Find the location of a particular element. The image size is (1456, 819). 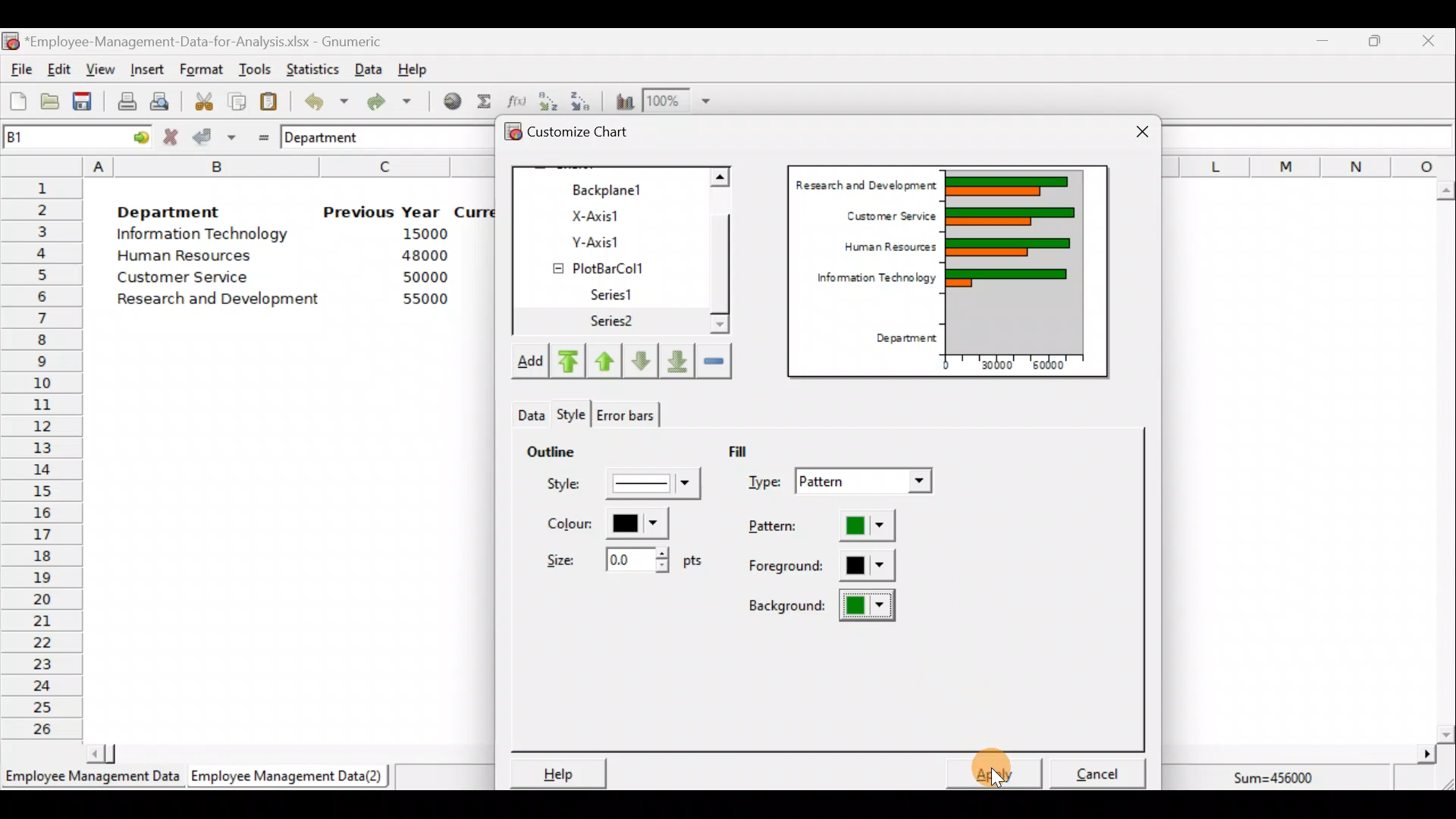

Sort in descending order is located at coordinates (582, 100).